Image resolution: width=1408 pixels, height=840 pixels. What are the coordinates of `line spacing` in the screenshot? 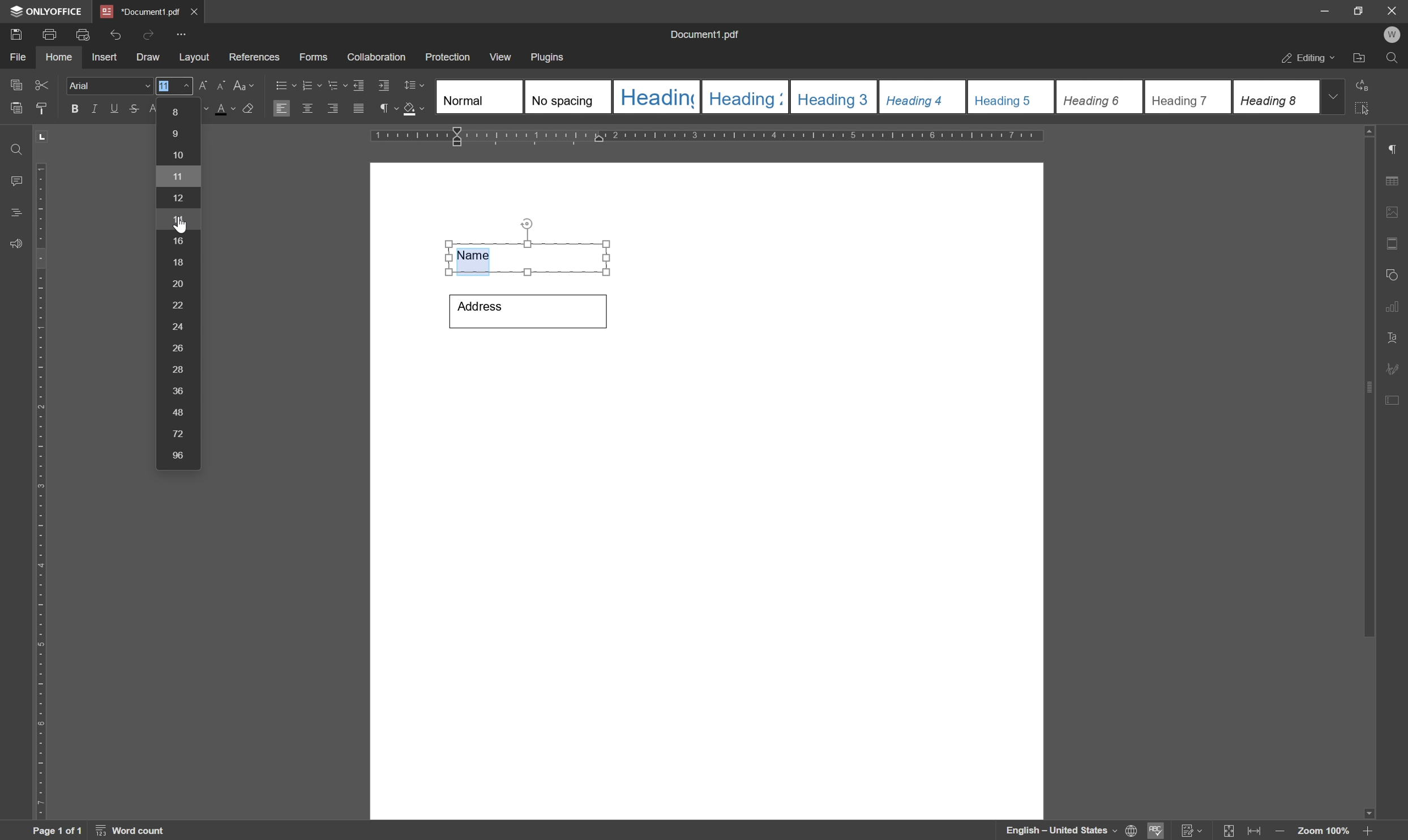 It's located at (414, 85).